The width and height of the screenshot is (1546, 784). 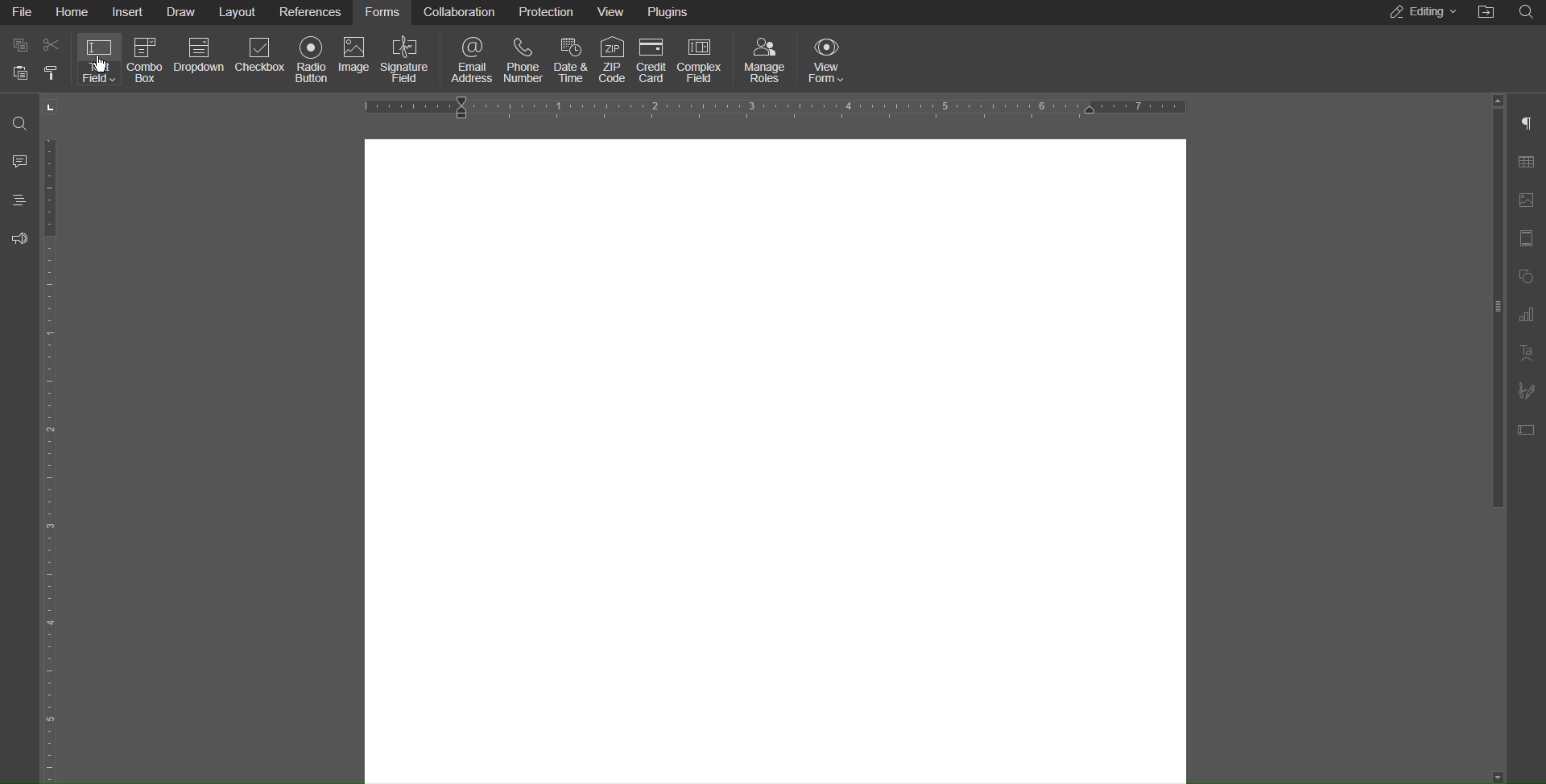 What do you see at coordinates (51, 74) in the screenshot?
I see `paste` at bounding box center [51, 74].